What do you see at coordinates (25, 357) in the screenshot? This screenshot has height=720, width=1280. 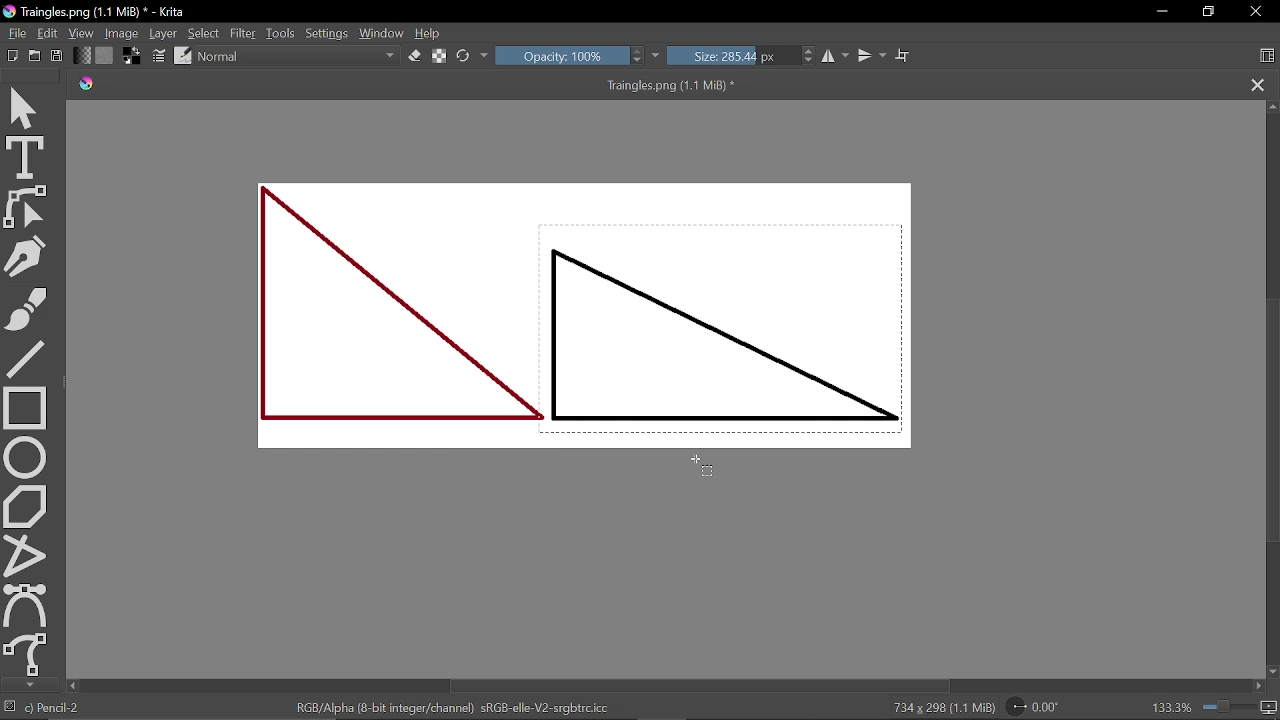 I see `Line tool` at bounding box center [25, 357].